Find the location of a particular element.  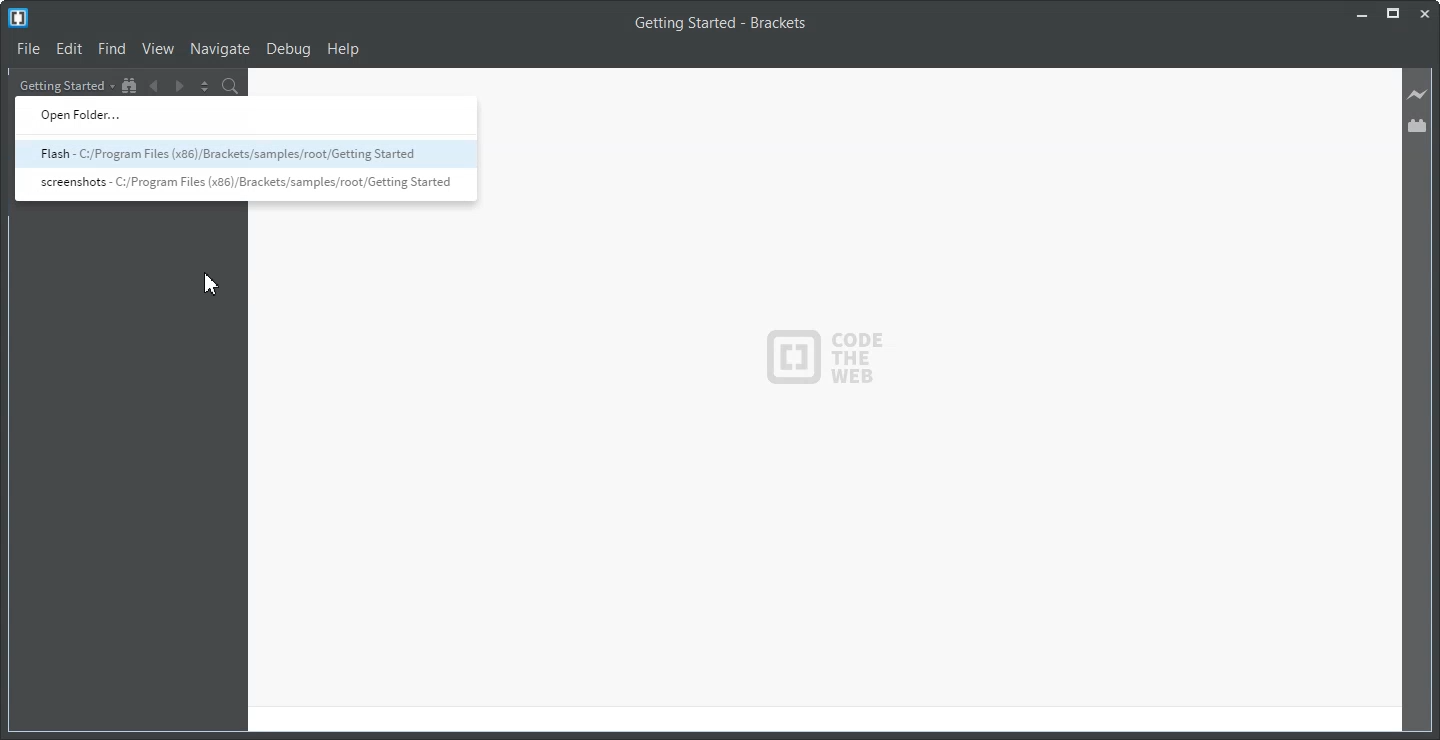

Logo is located at coordinates (18, 18).